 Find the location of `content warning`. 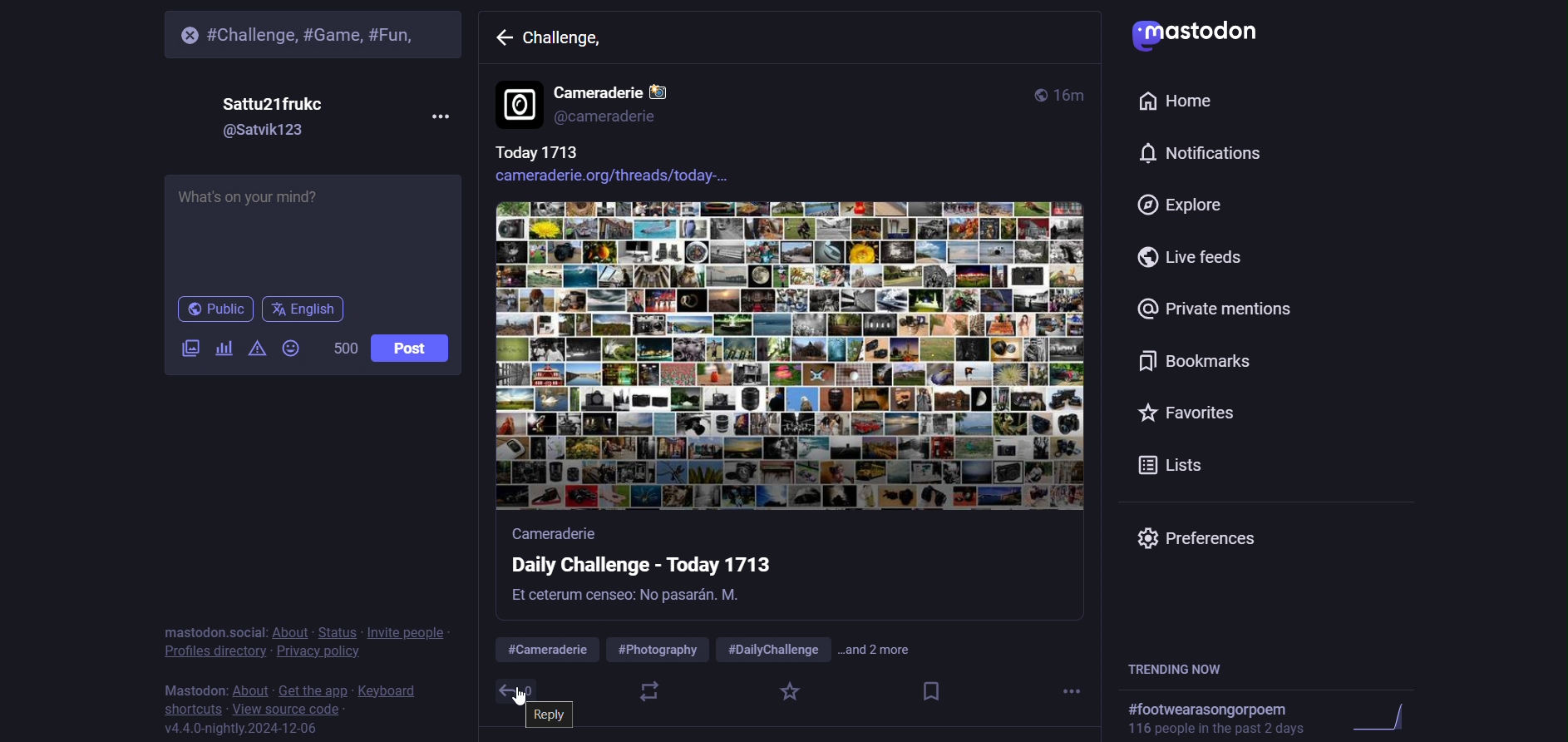

content warning is located at coordinates (254, 352).